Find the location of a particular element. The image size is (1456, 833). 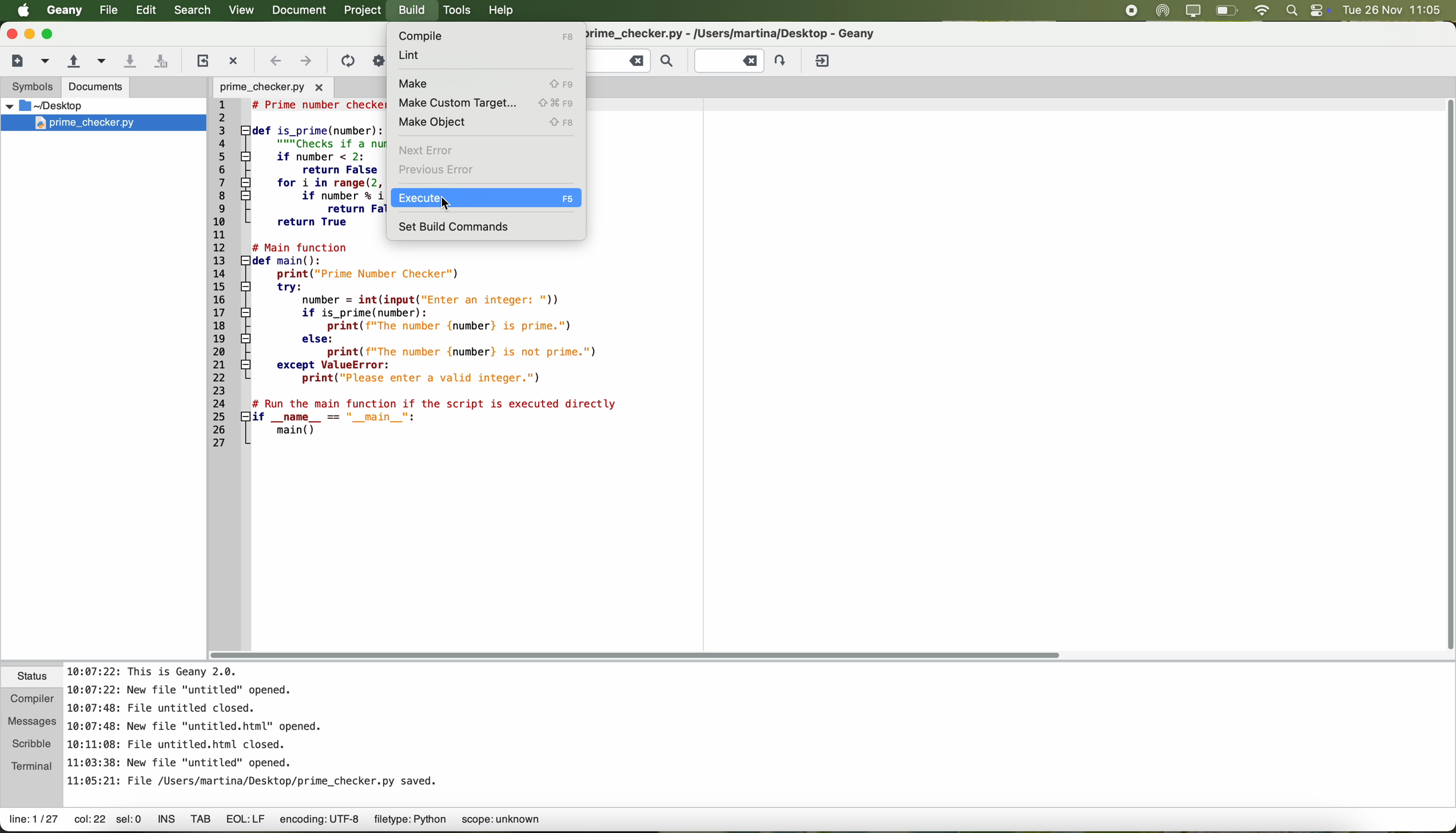

minimize Geany is located at coordinates (30, 33).